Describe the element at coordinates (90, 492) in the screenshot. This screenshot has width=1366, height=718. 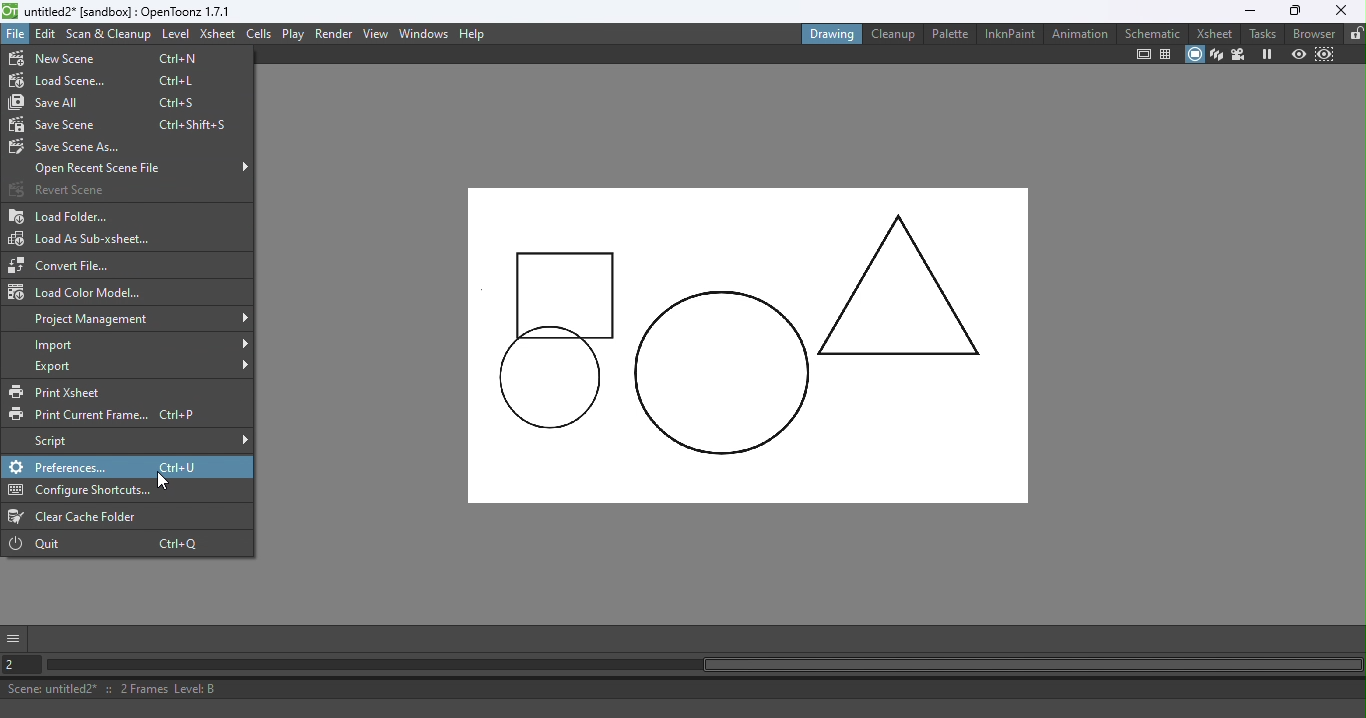
I see `Configure shortcuts` at that location.